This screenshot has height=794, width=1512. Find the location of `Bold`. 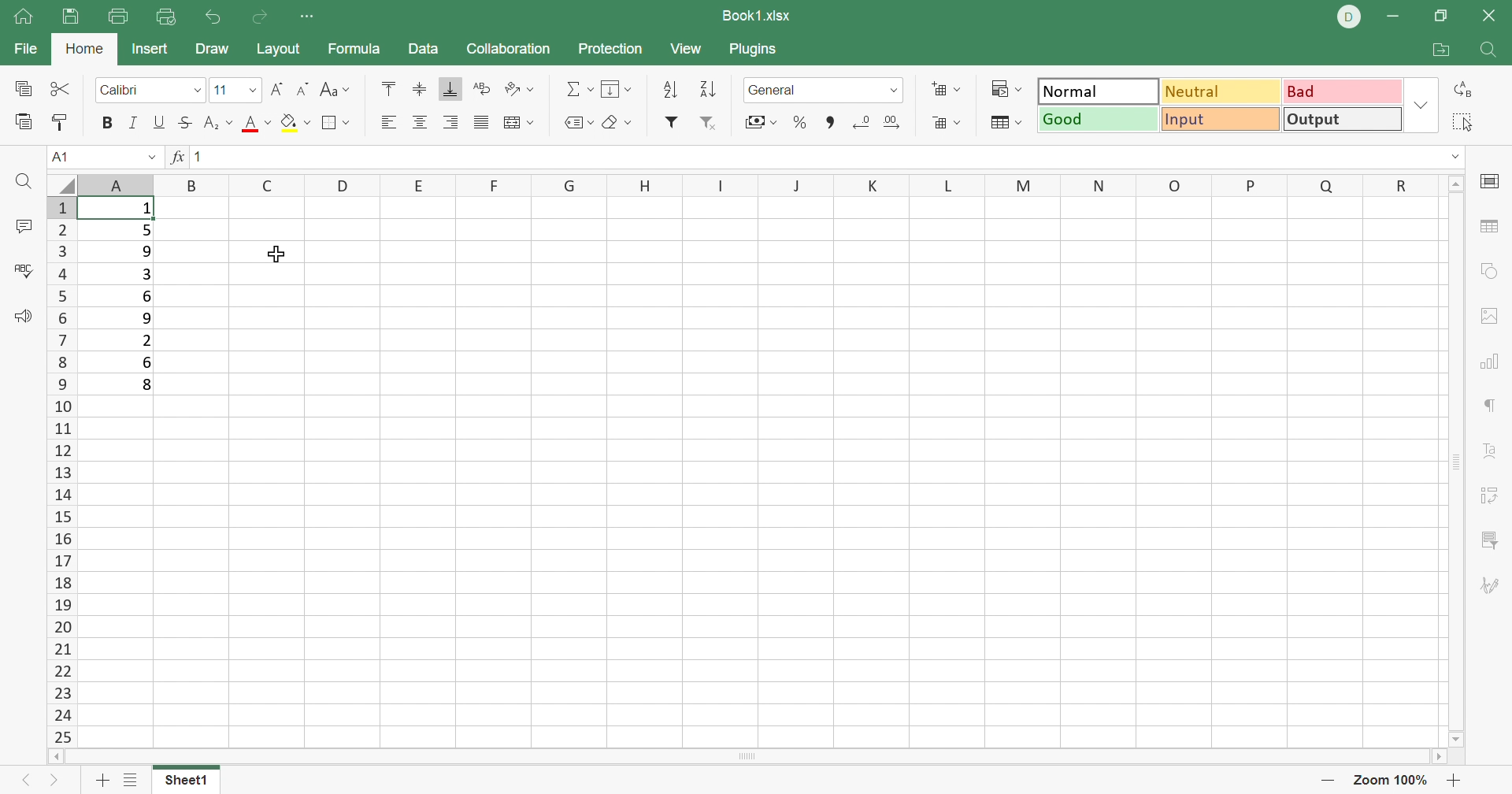

Bold is located at coordinates (105, 121).